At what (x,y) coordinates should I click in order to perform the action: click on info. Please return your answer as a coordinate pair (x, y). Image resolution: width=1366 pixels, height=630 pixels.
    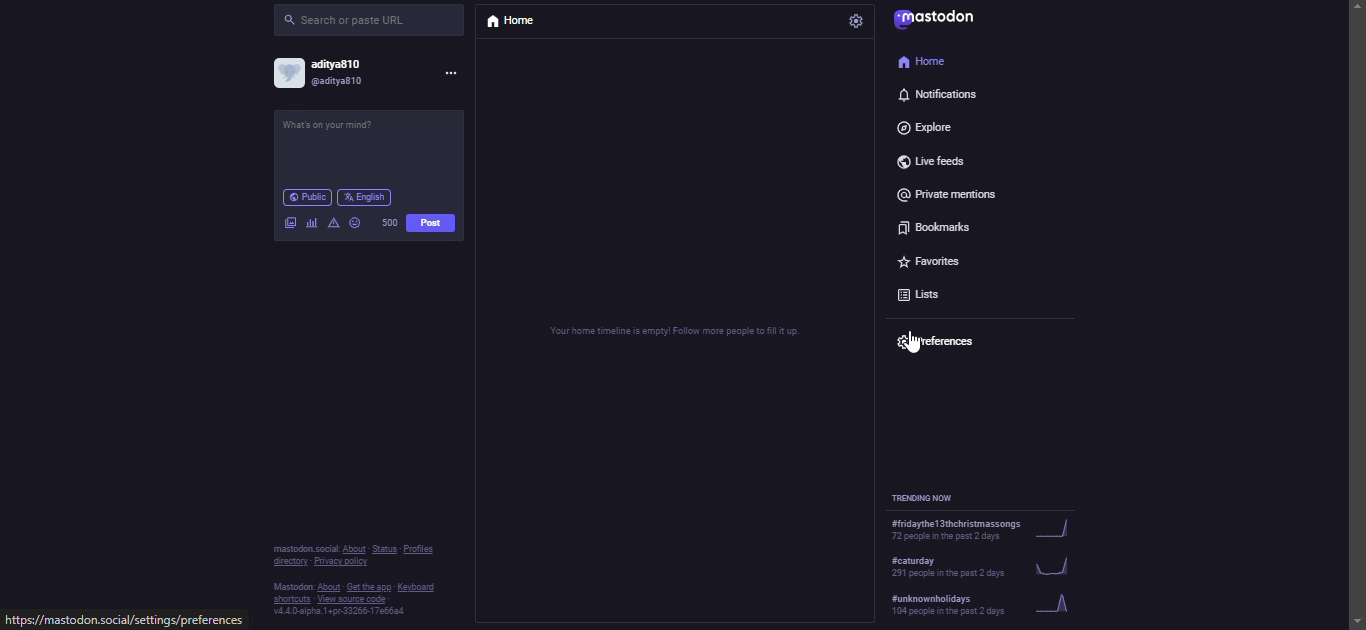
    Looking at the image, I should click on (357, 579).